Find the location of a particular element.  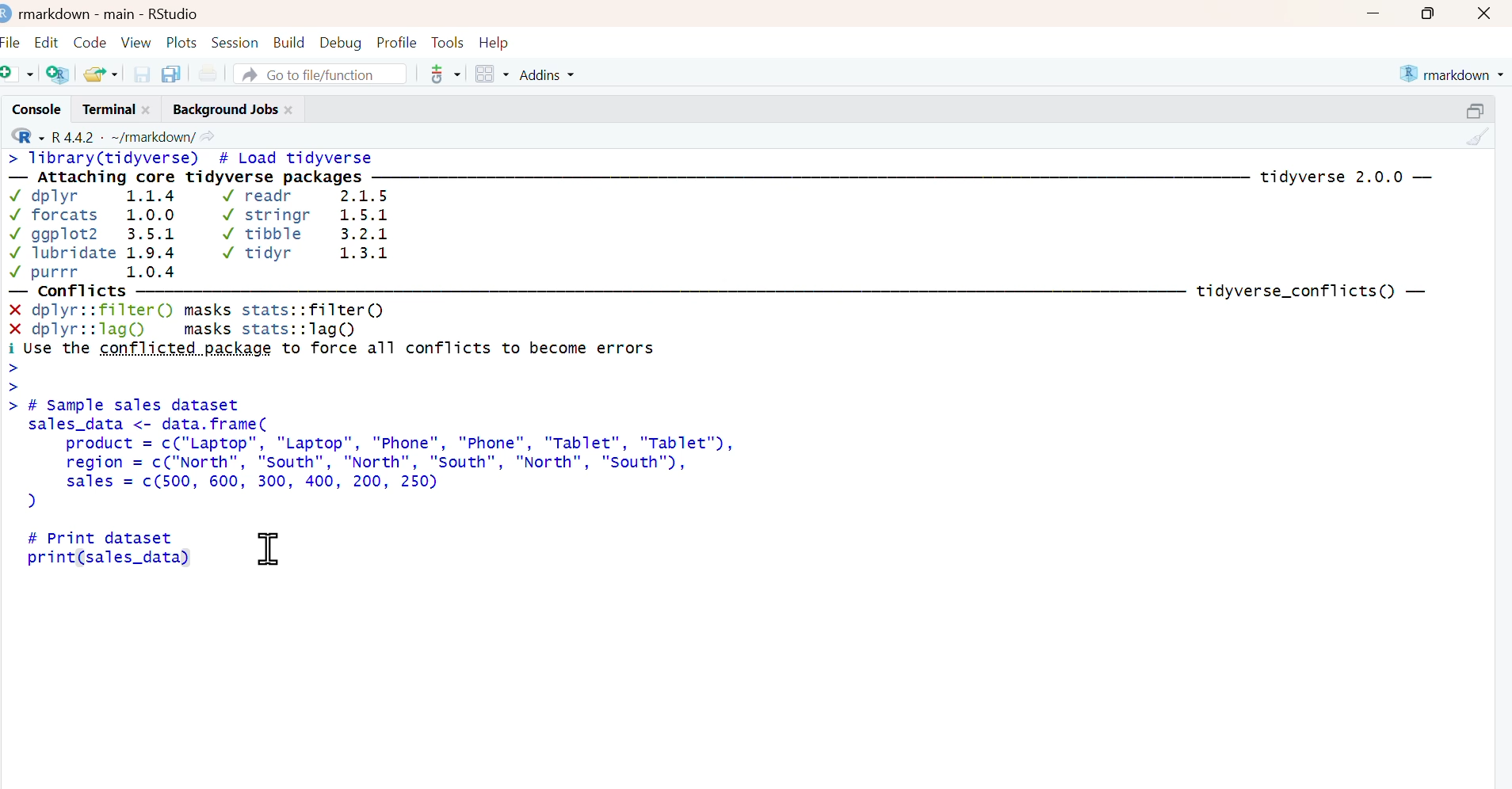

Help is located at coordinates (499, 41).